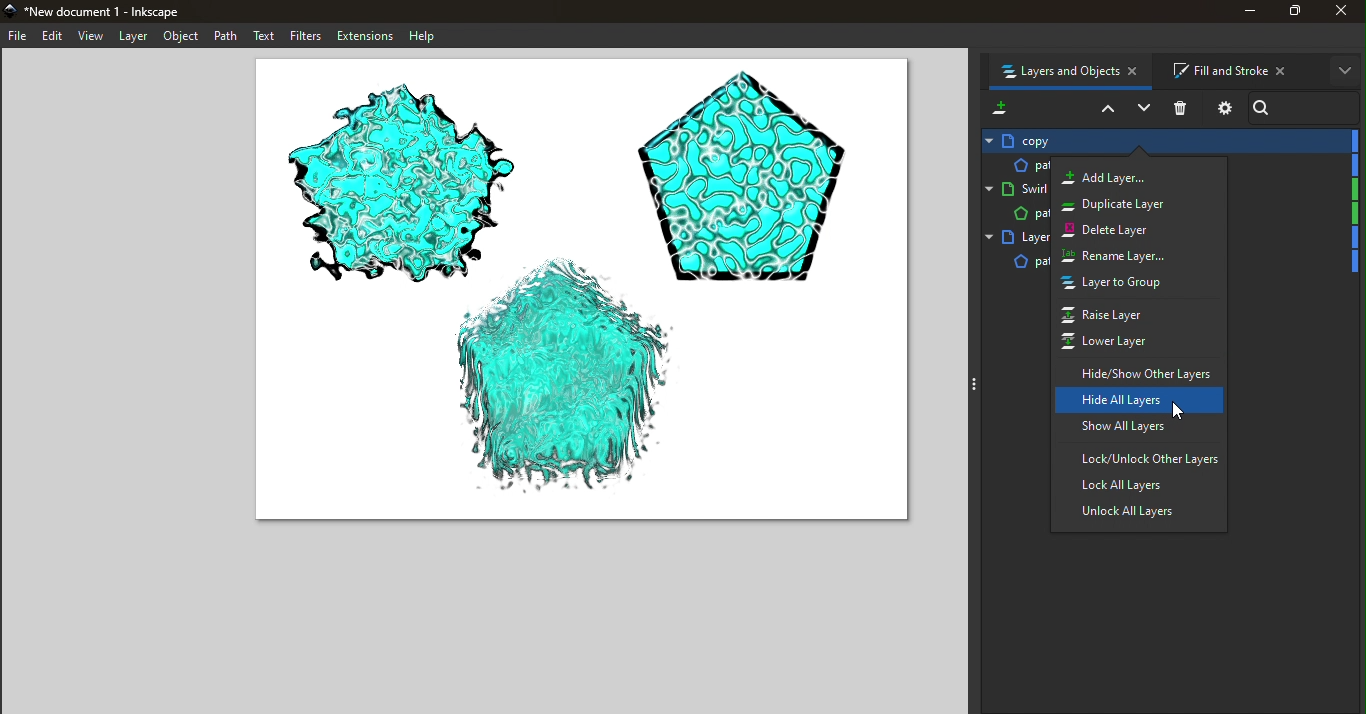 The image size is (1366, 714). Describe the element at coordinates (1348, 73) in the screenshot. I see `More options` at that location.